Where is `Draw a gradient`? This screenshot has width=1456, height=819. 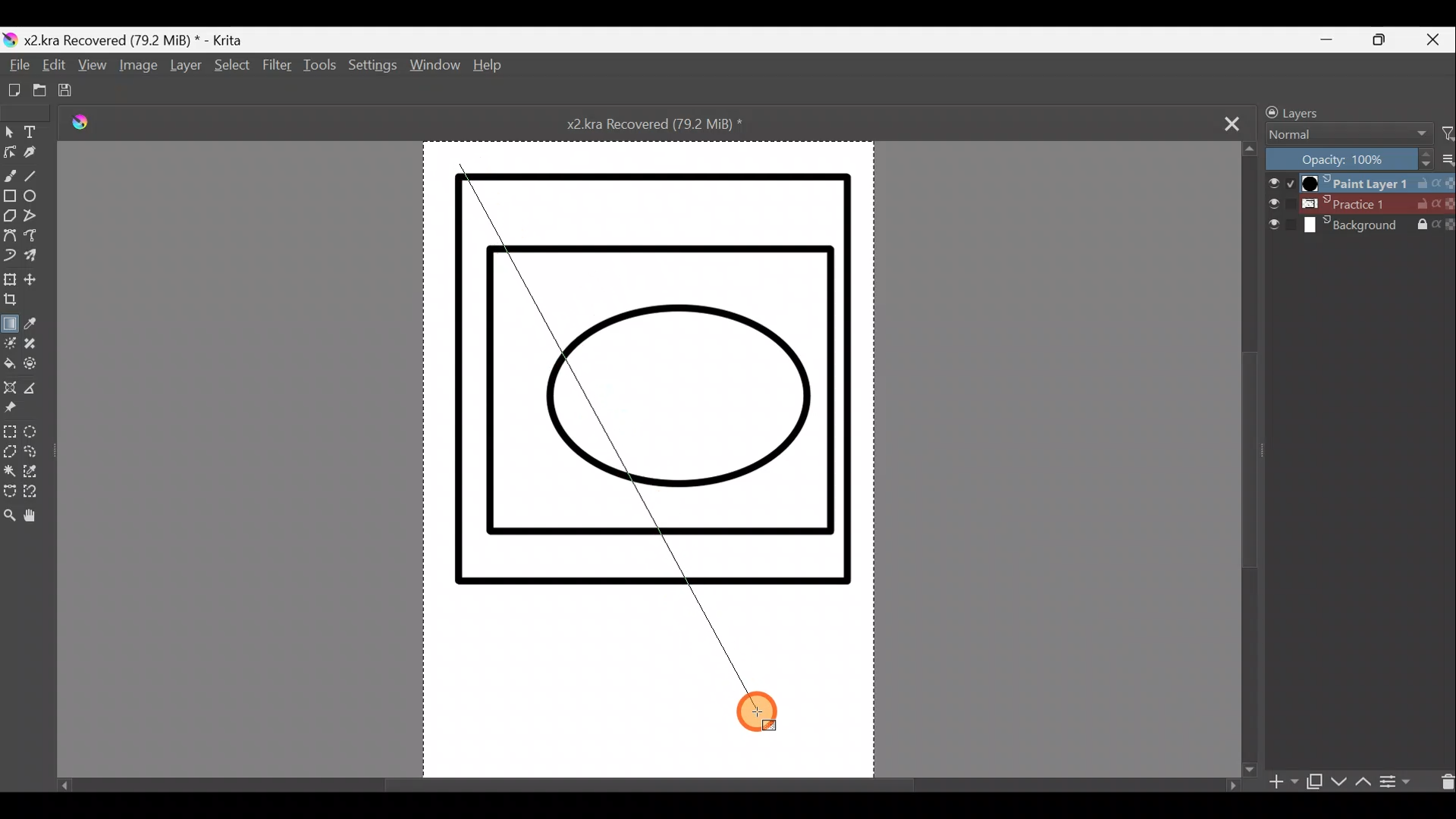
Draw a gradient is located at coordinates (11, 321).